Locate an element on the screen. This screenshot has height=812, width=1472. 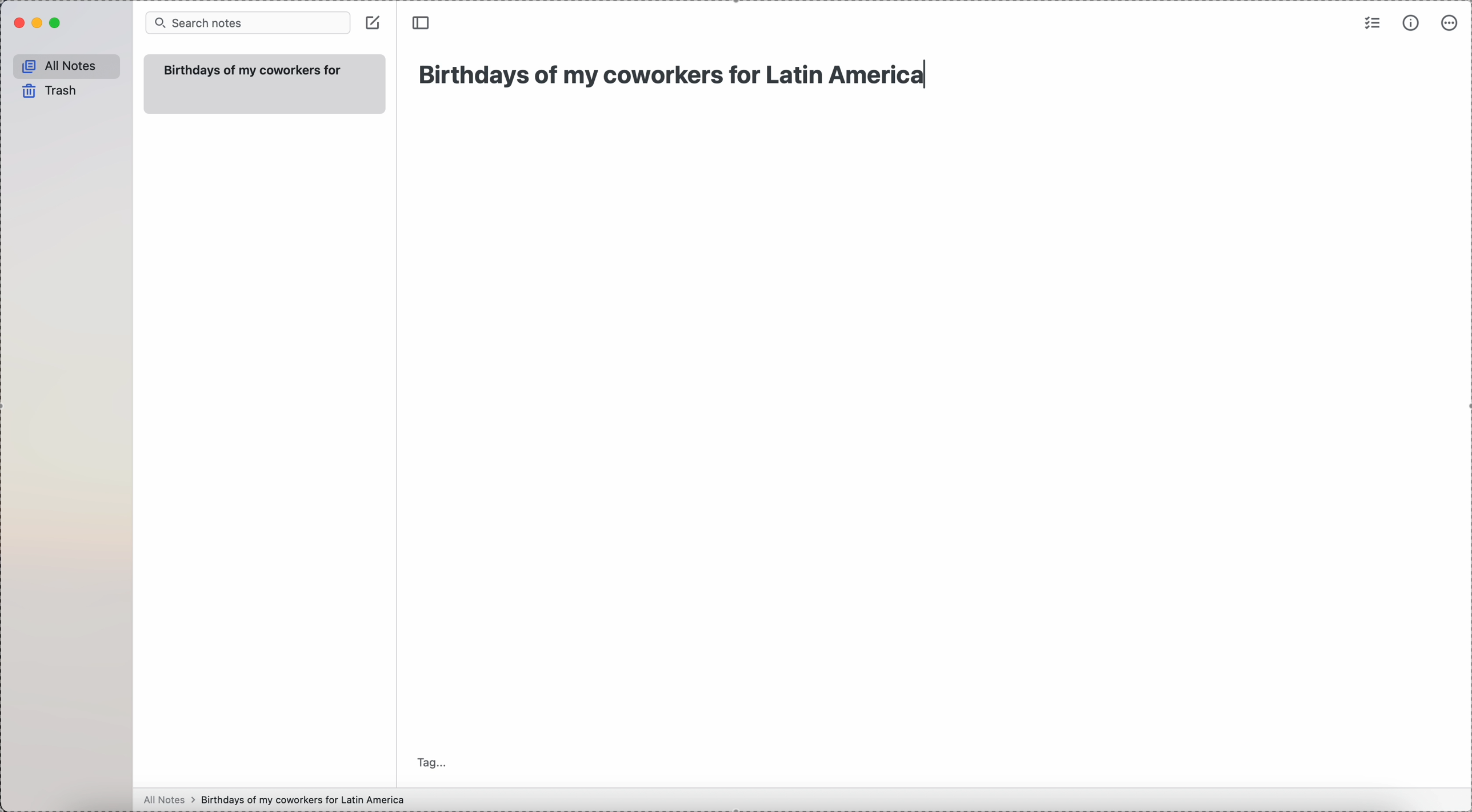
toggle side bar is located at coordinates (422, 23).